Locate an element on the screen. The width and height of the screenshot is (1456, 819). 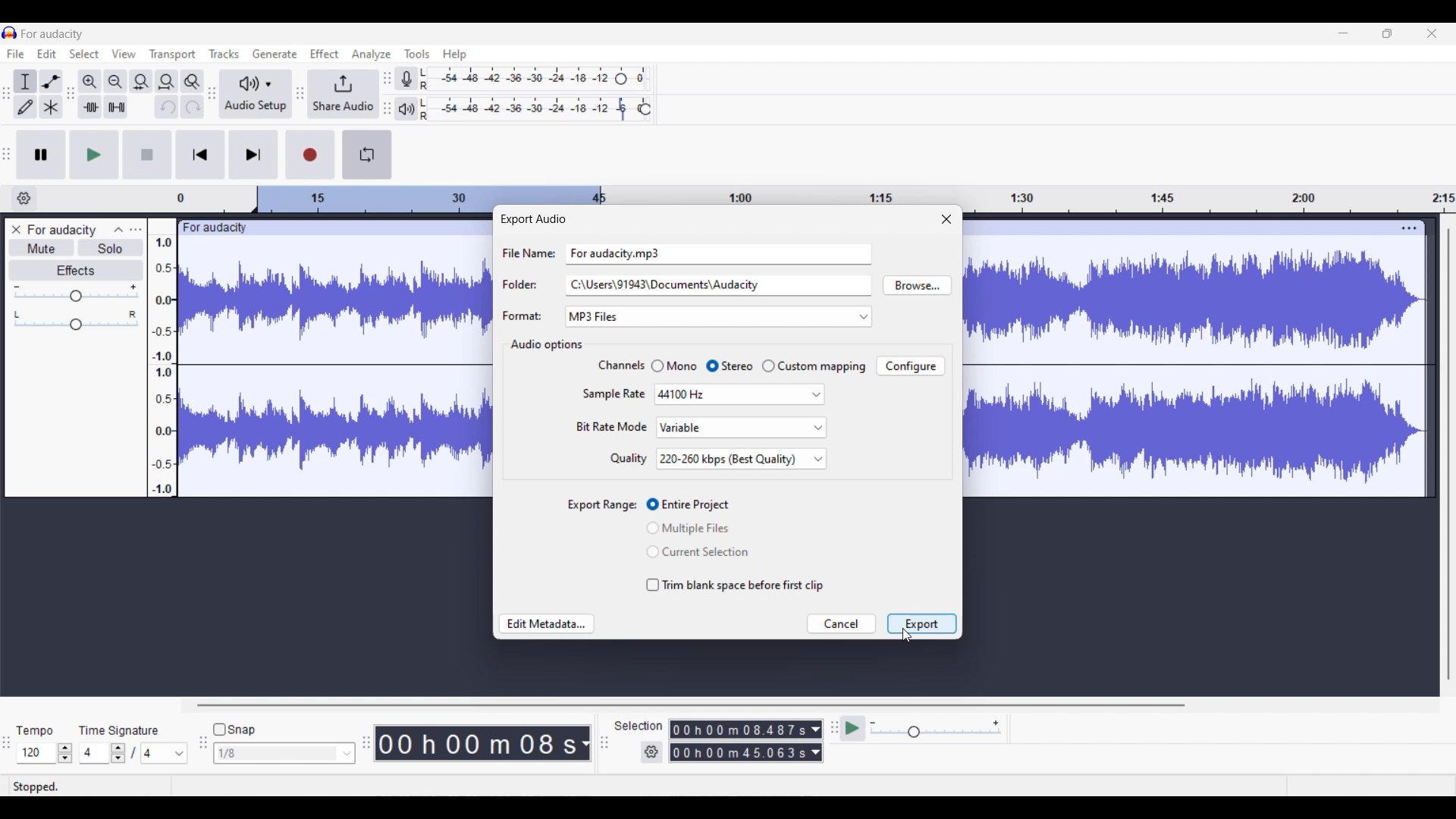
Collapse is located at coordinates (119, 230).